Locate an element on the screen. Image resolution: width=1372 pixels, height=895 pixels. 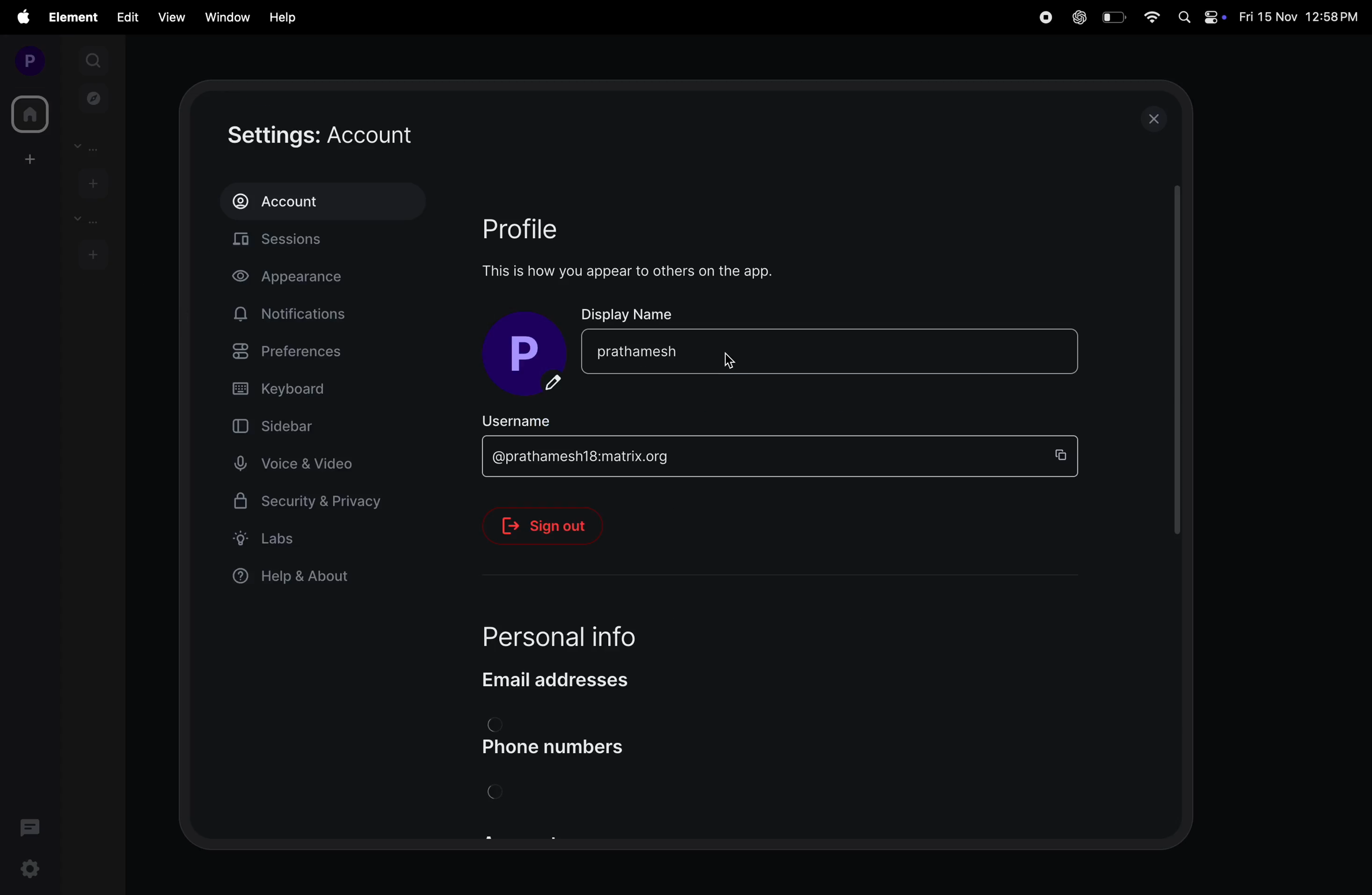
settings is located at coordinates (32, 871).